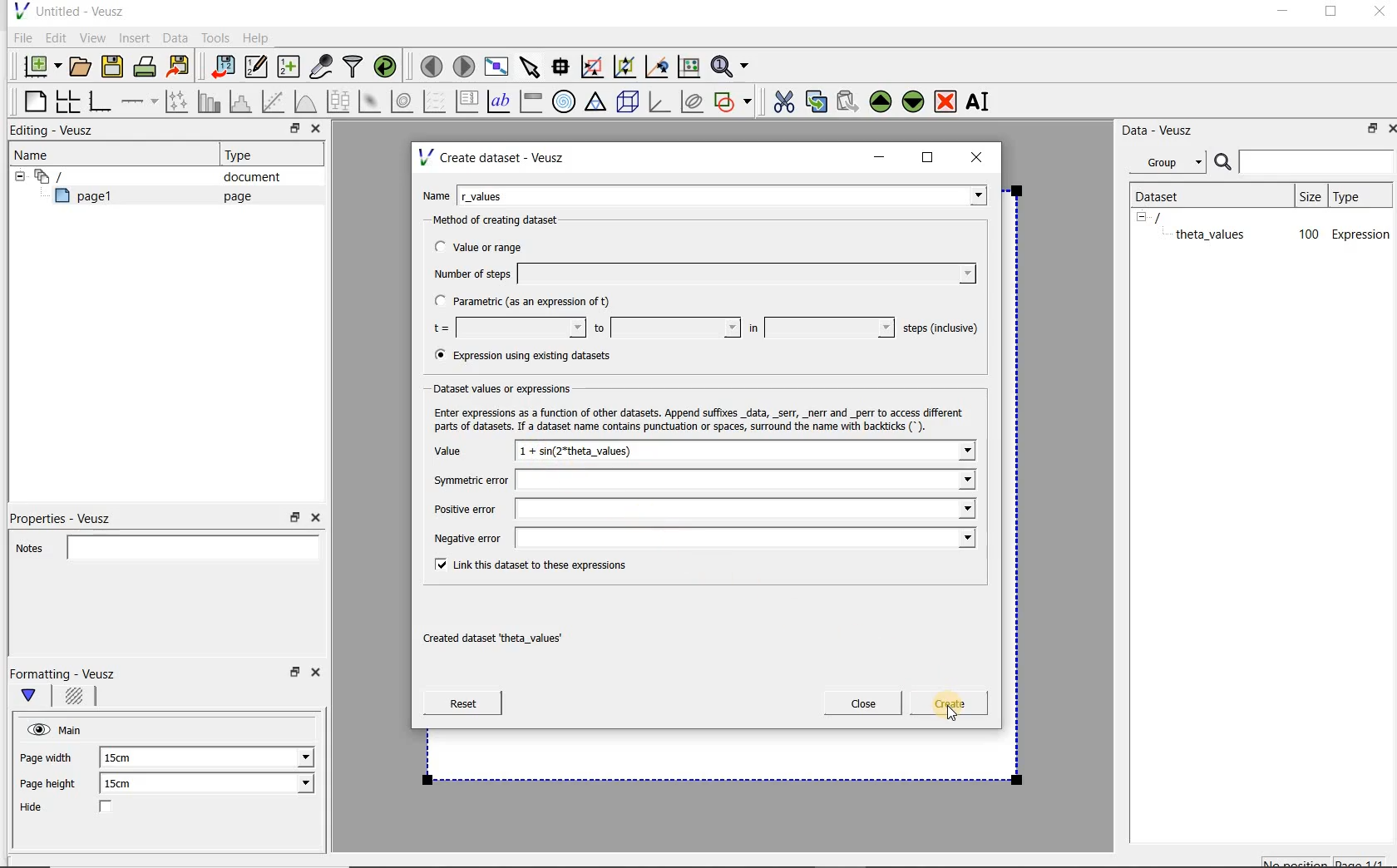 This screenshot has width=1397, height=868. I want to click on size, so click(1309, 194).